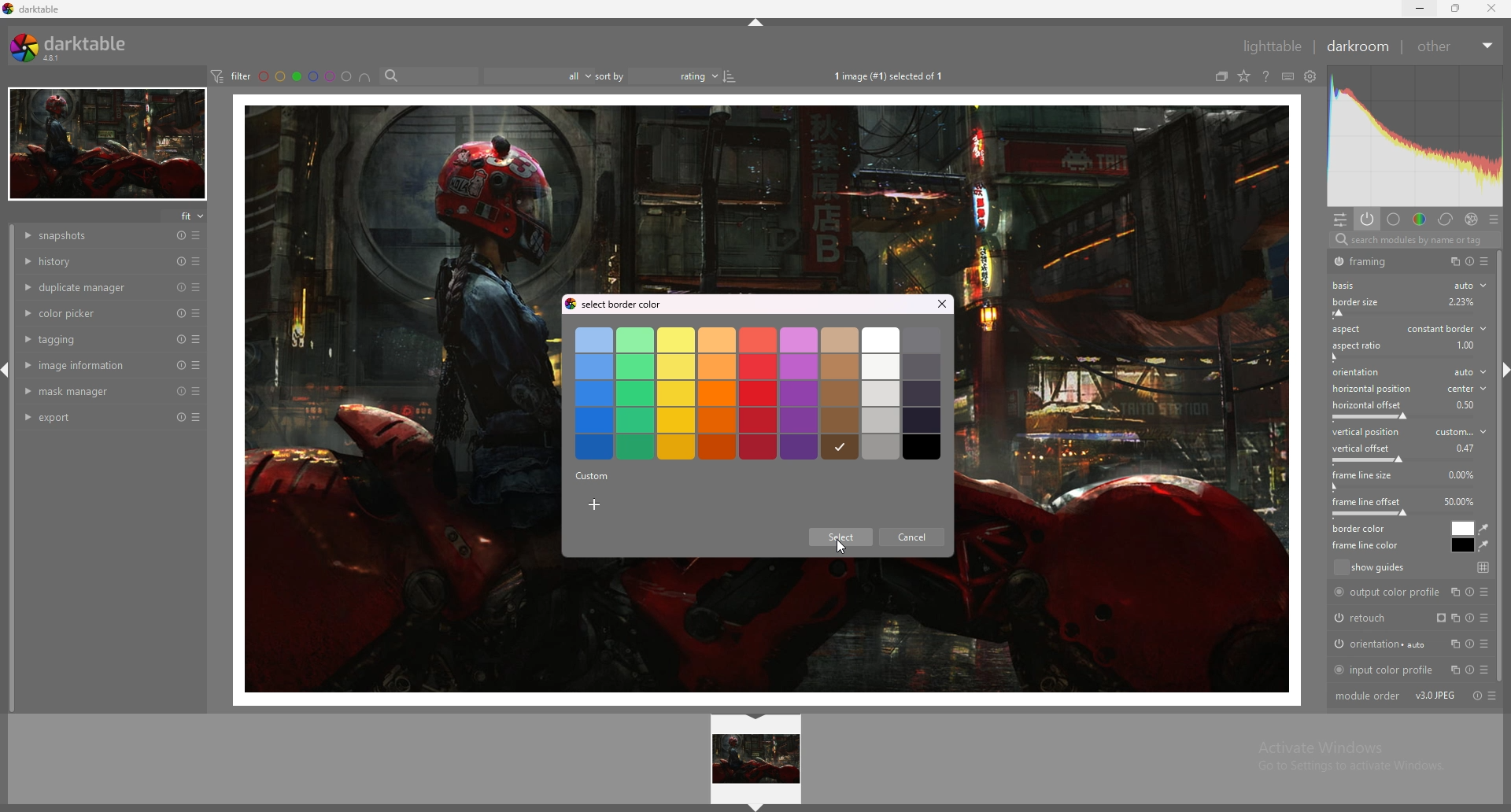 Image resolution: width=1511 pixels, height=812 pixels. I want to click on copy, so click(1451, 261).